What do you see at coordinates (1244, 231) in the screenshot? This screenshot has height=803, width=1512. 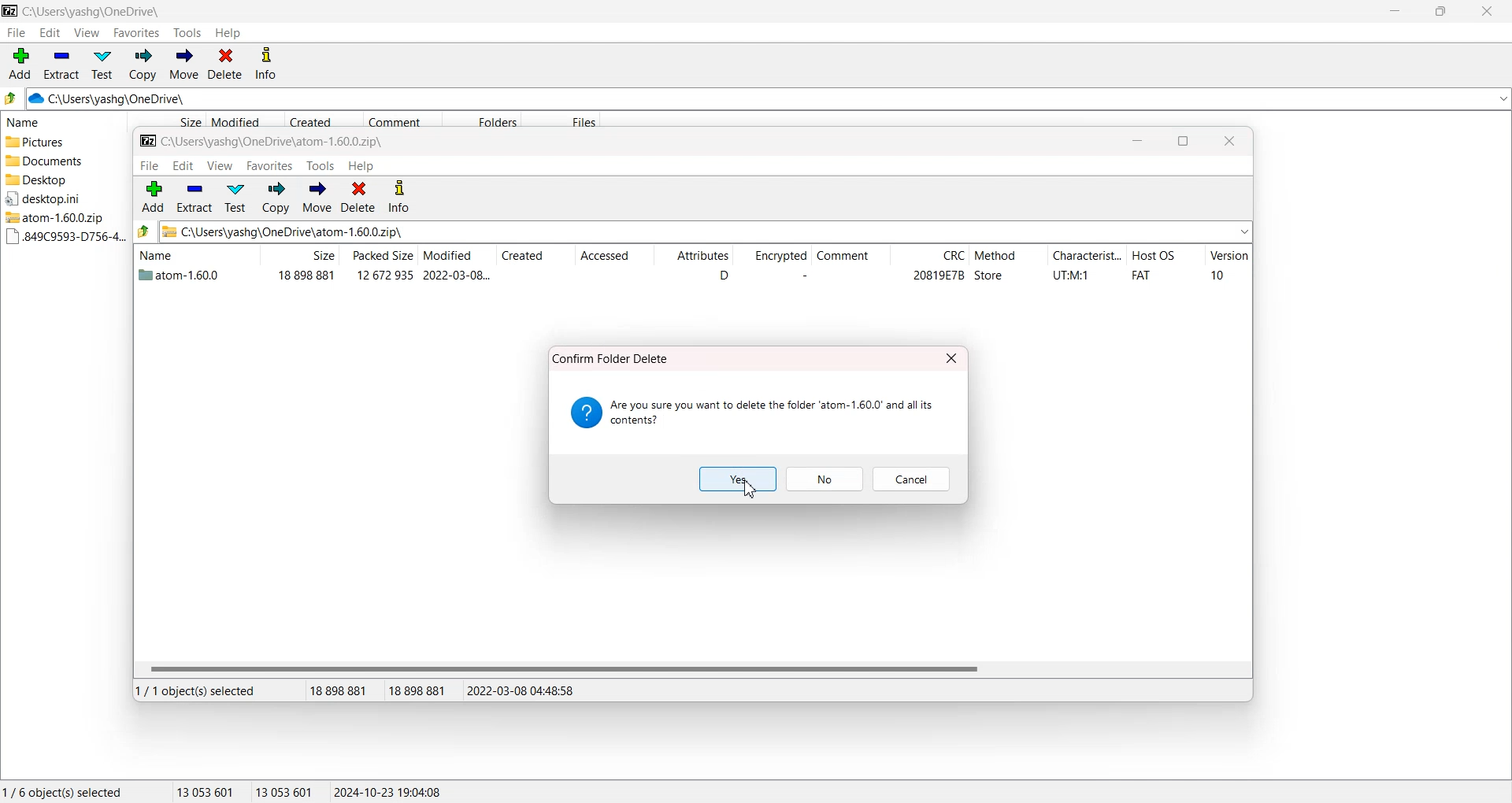 I see `expand` at bounding box center [1244, 231].